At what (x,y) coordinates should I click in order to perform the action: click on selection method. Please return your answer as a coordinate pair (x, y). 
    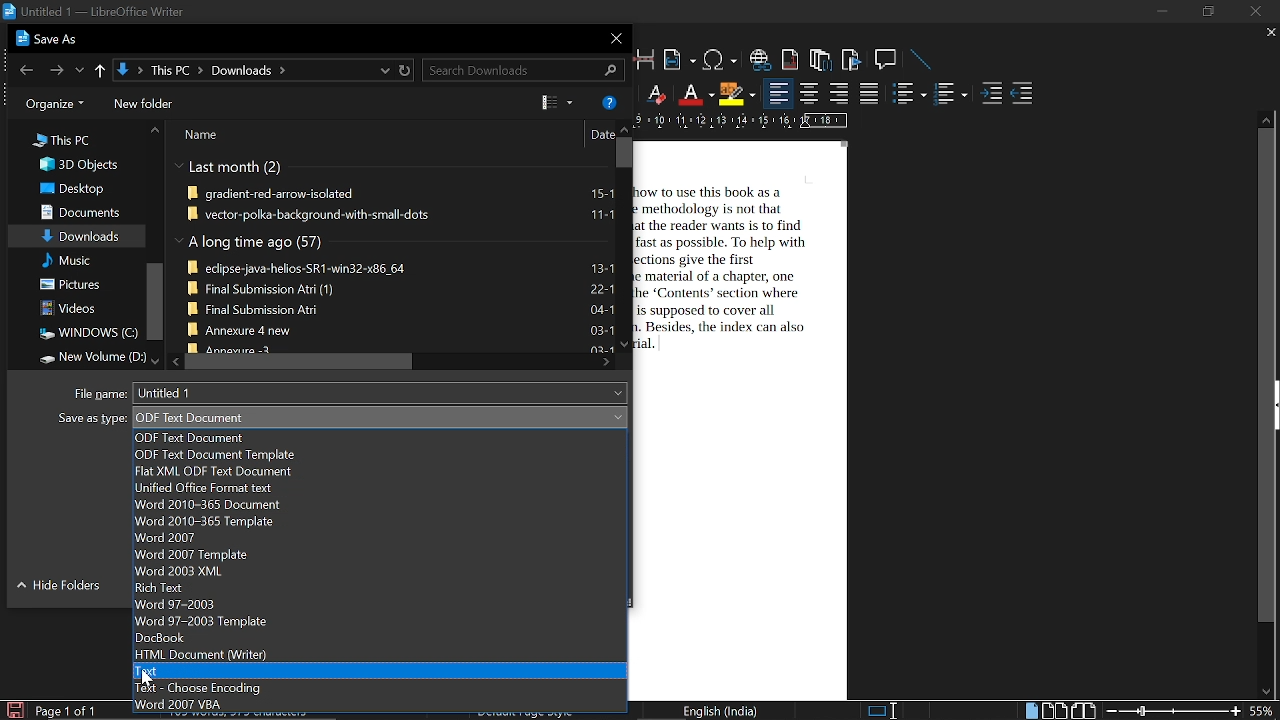
    Looking at the image, I should click on (881, 711).